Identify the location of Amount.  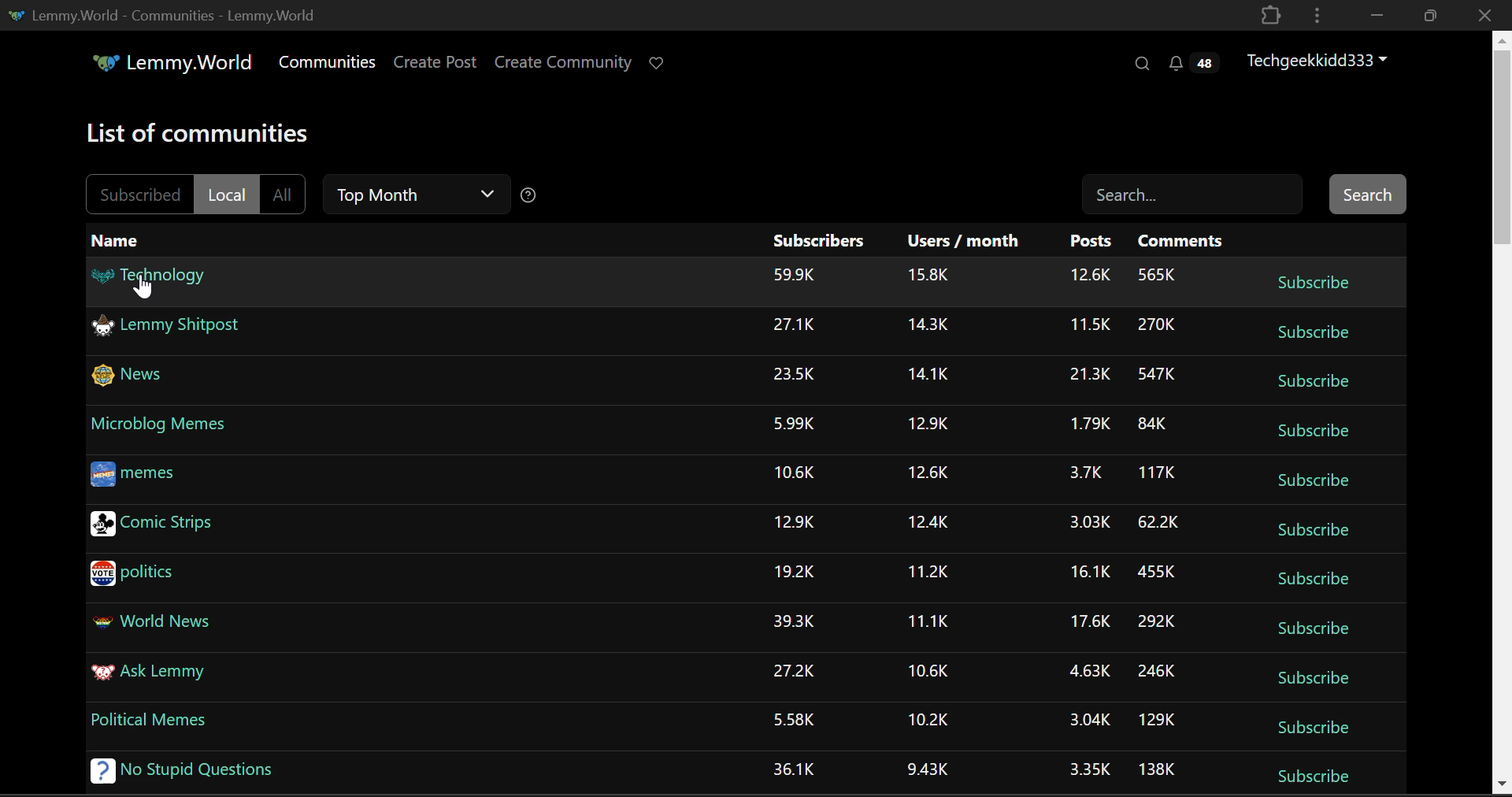
(1091, 722).